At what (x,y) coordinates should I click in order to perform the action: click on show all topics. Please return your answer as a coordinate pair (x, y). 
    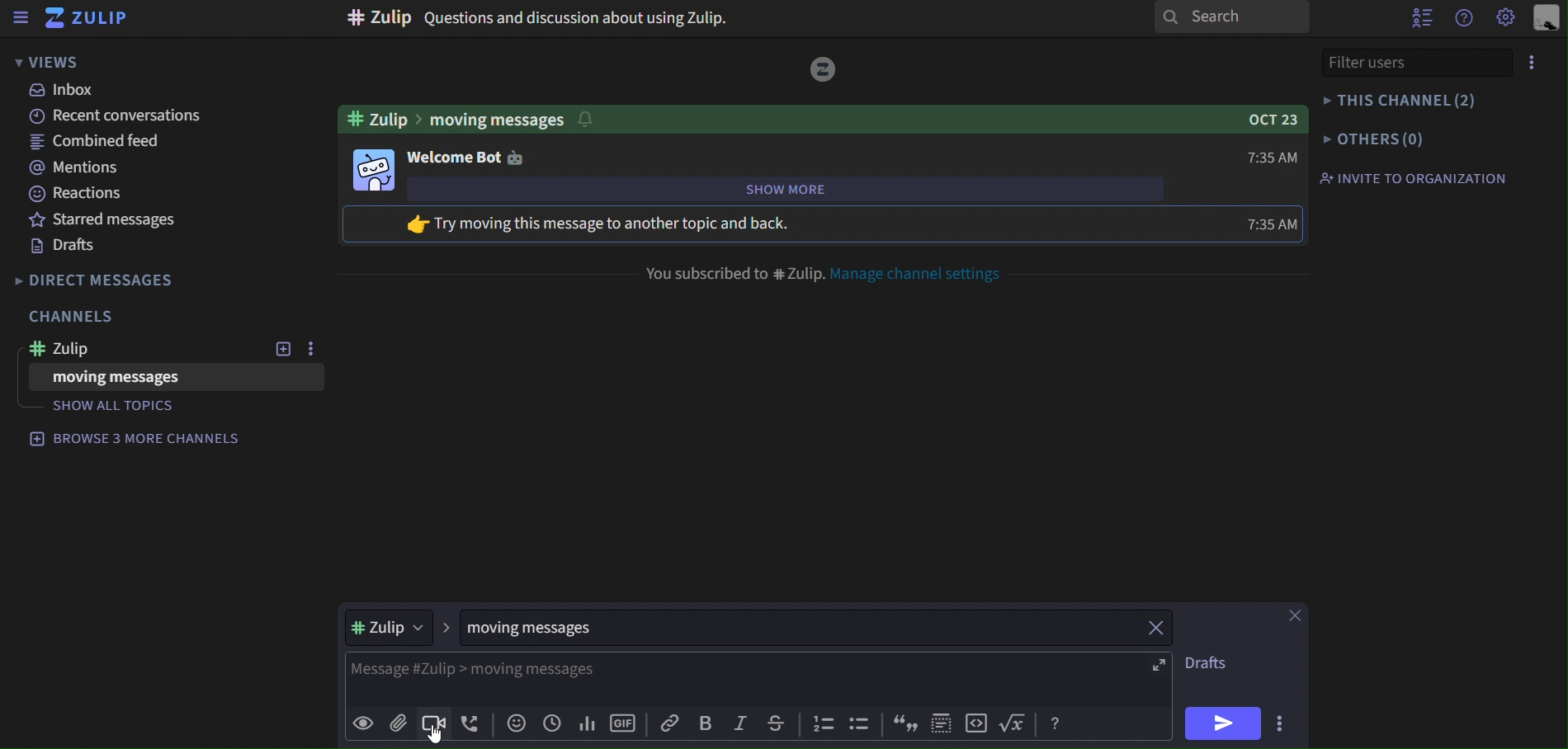
    Looking at the image, I should click on (124, 407).